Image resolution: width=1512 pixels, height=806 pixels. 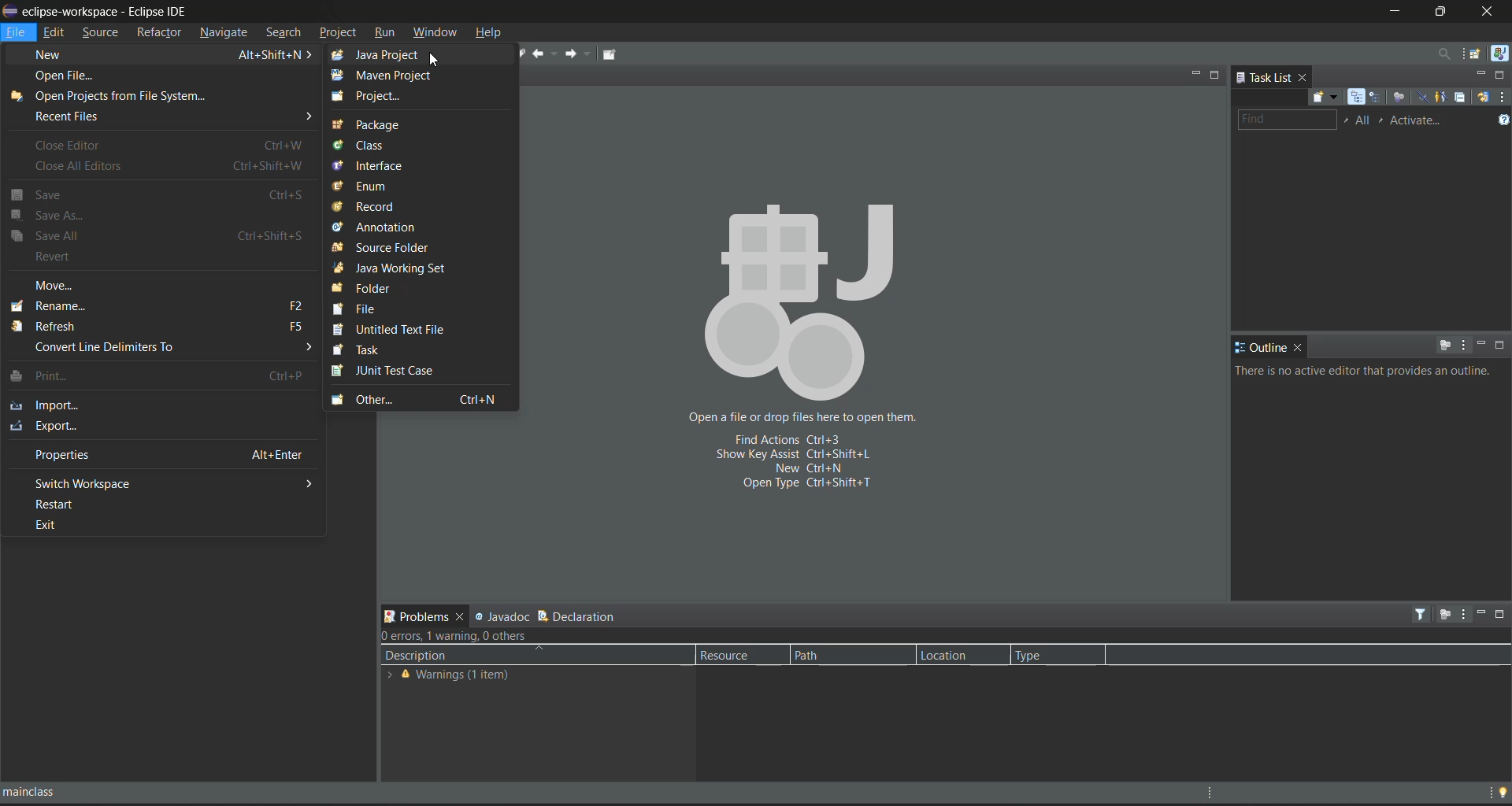 What do you see at coordinates (1499, 54) in the screenshot?
I see `java` at bounding box center [1499, 54].